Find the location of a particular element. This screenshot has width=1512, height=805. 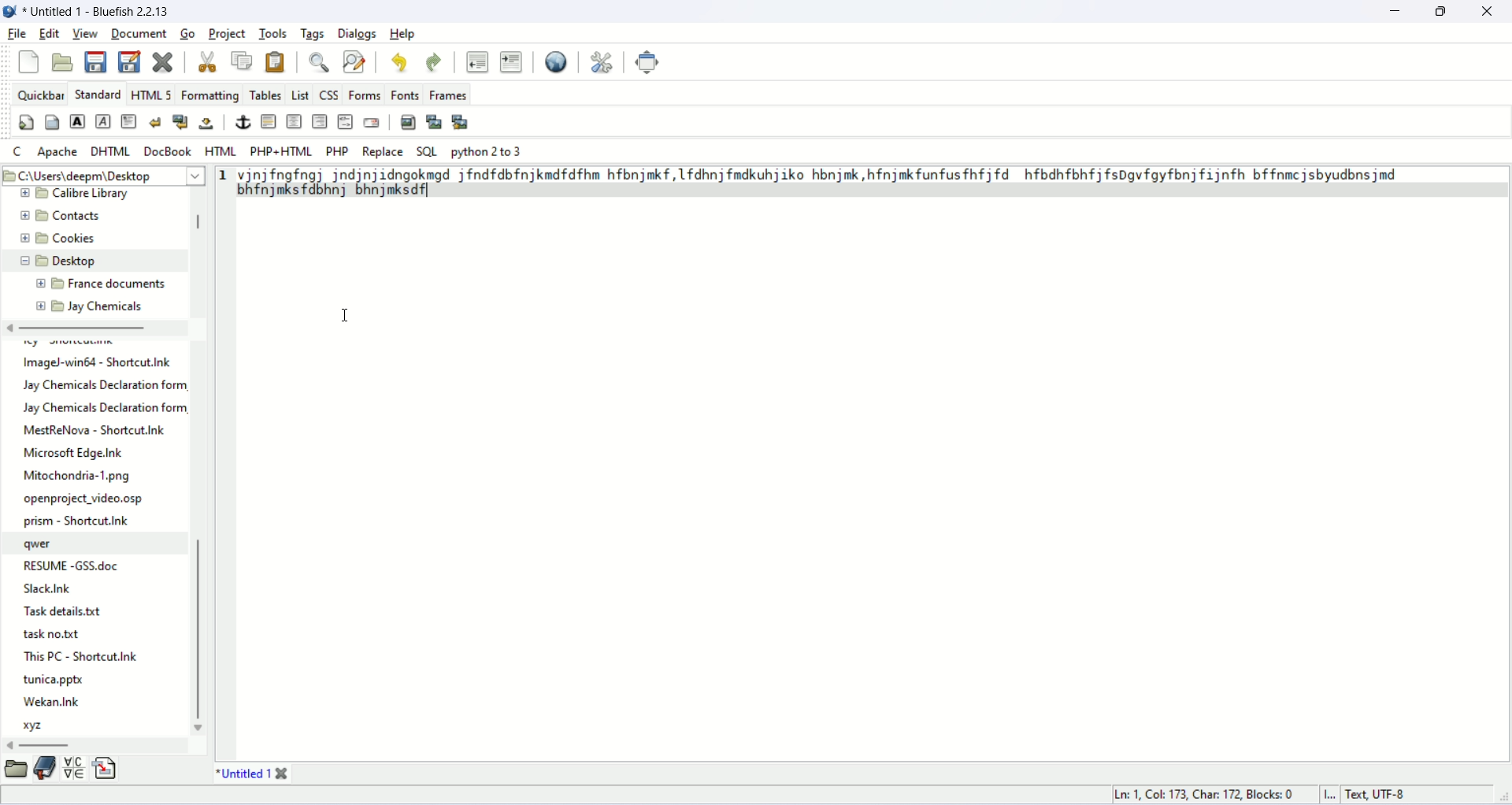

Contacts is located at coordinates (75, 216).